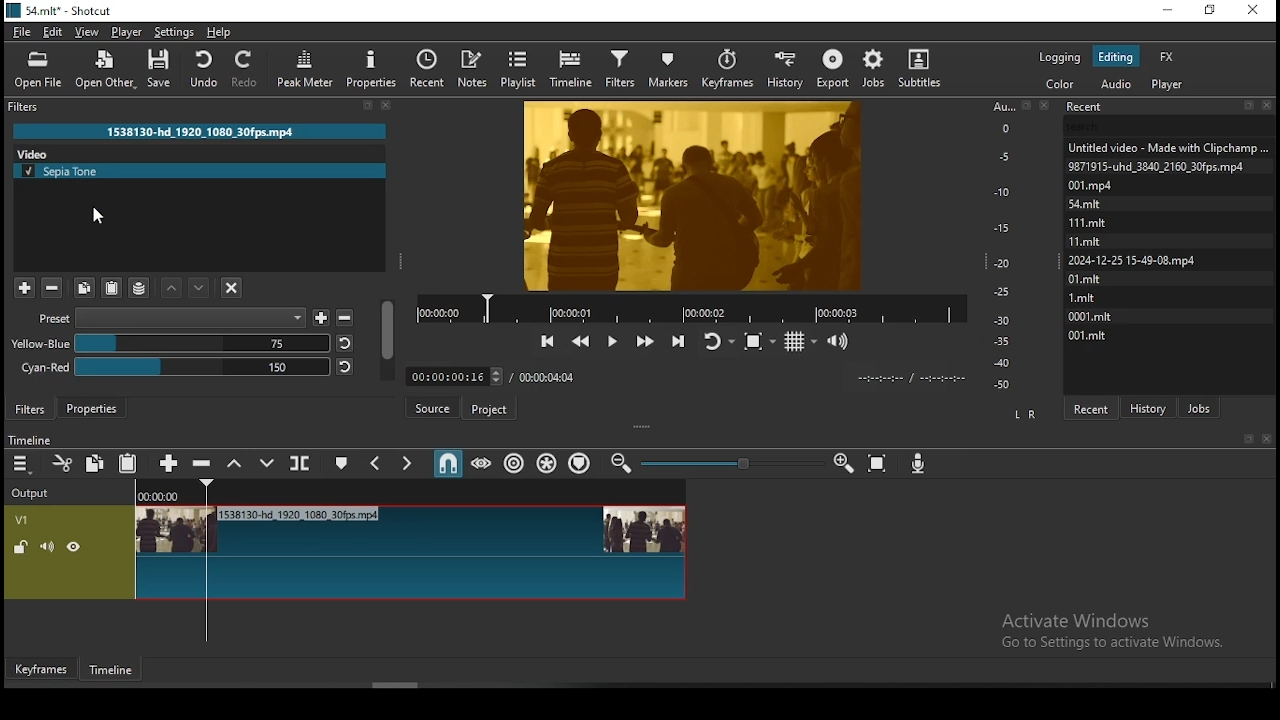  Describe the element at coordinates (112, 289) in the screenshot. I see `paste filters` at that location.